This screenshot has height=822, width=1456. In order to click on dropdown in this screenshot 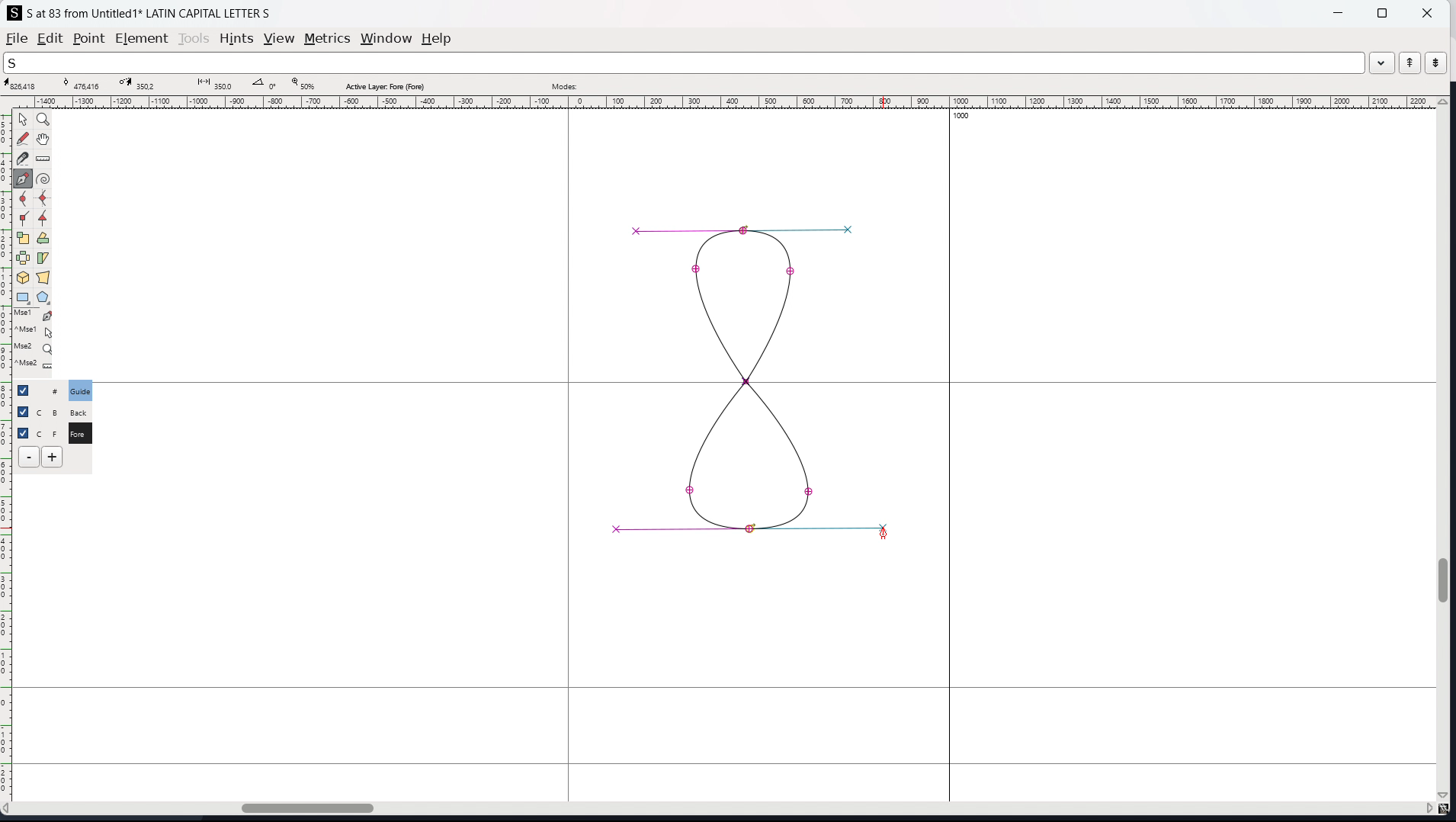, I will do `click(1382, 62)`.